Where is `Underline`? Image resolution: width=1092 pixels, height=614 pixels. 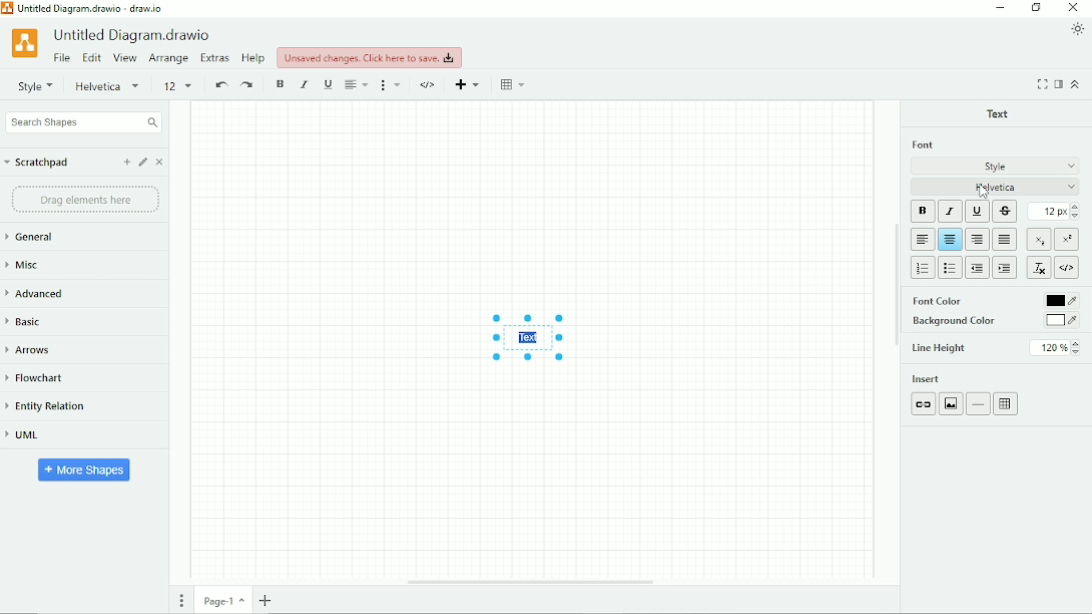 Underline is located at coordinates (328, 84).